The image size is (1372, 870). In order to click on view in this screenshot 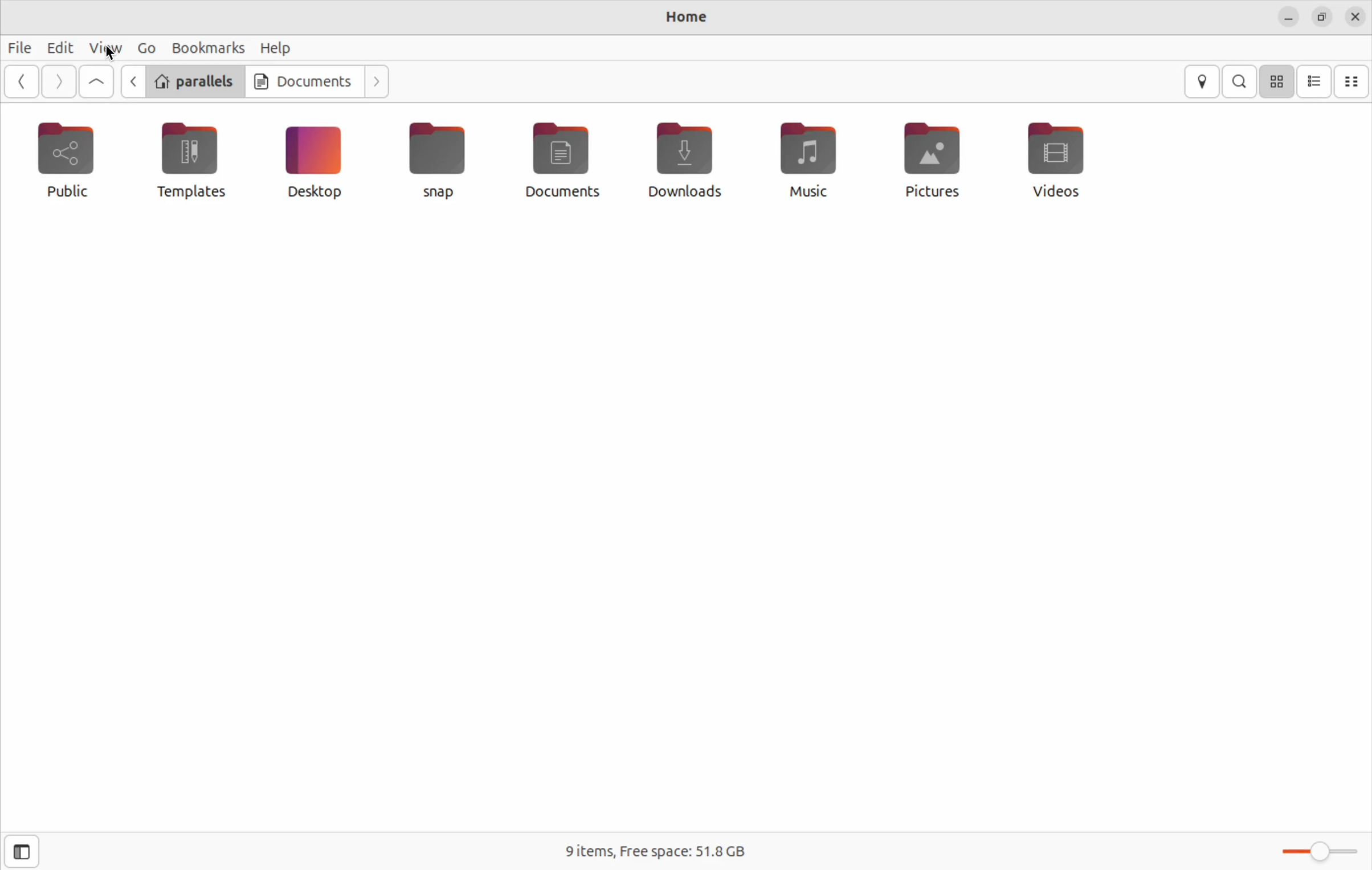, I will do `click(103, 47)`.